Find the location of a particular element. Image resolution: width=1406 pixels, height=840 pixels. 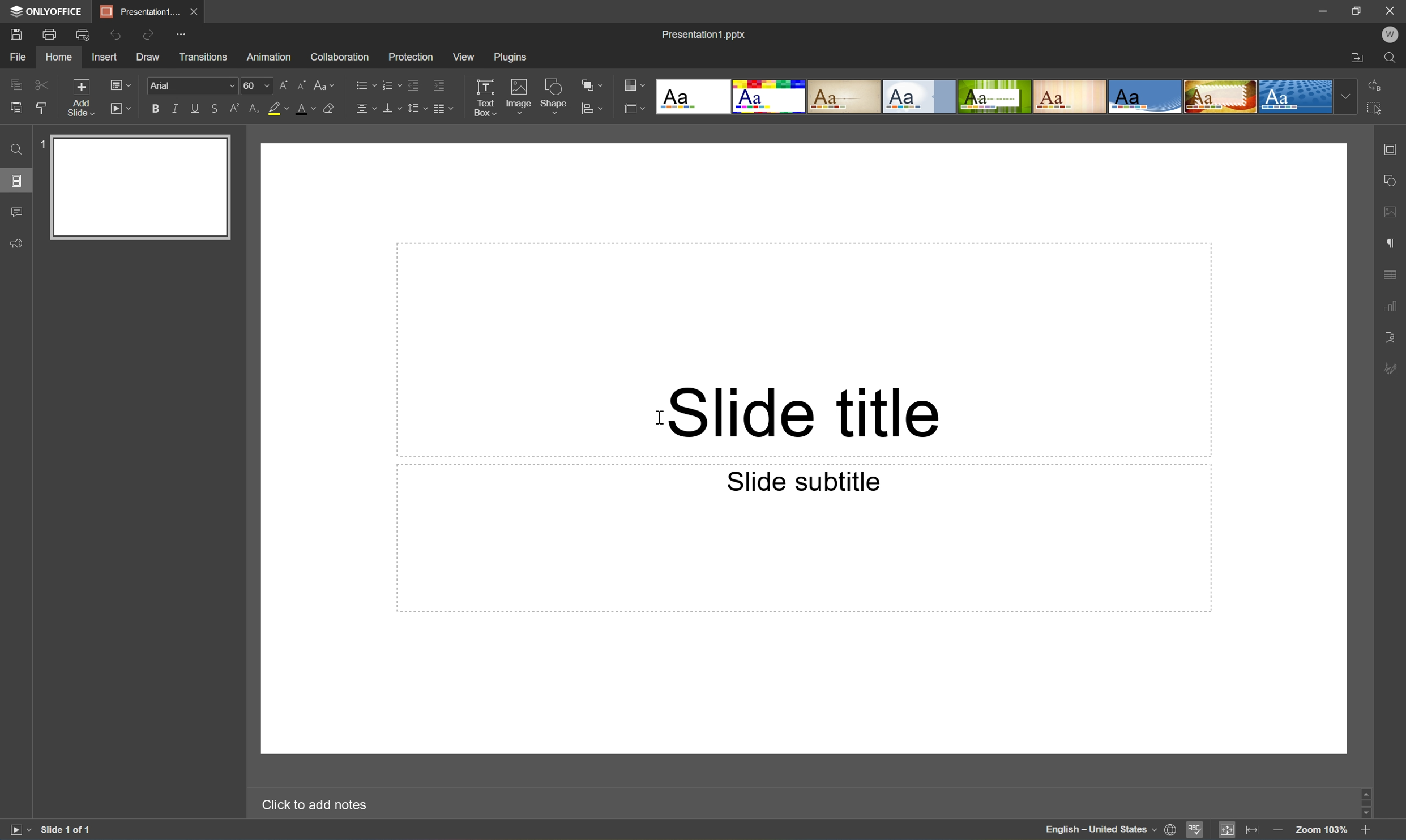

Decrease indent is located at coordinates (412, 87).